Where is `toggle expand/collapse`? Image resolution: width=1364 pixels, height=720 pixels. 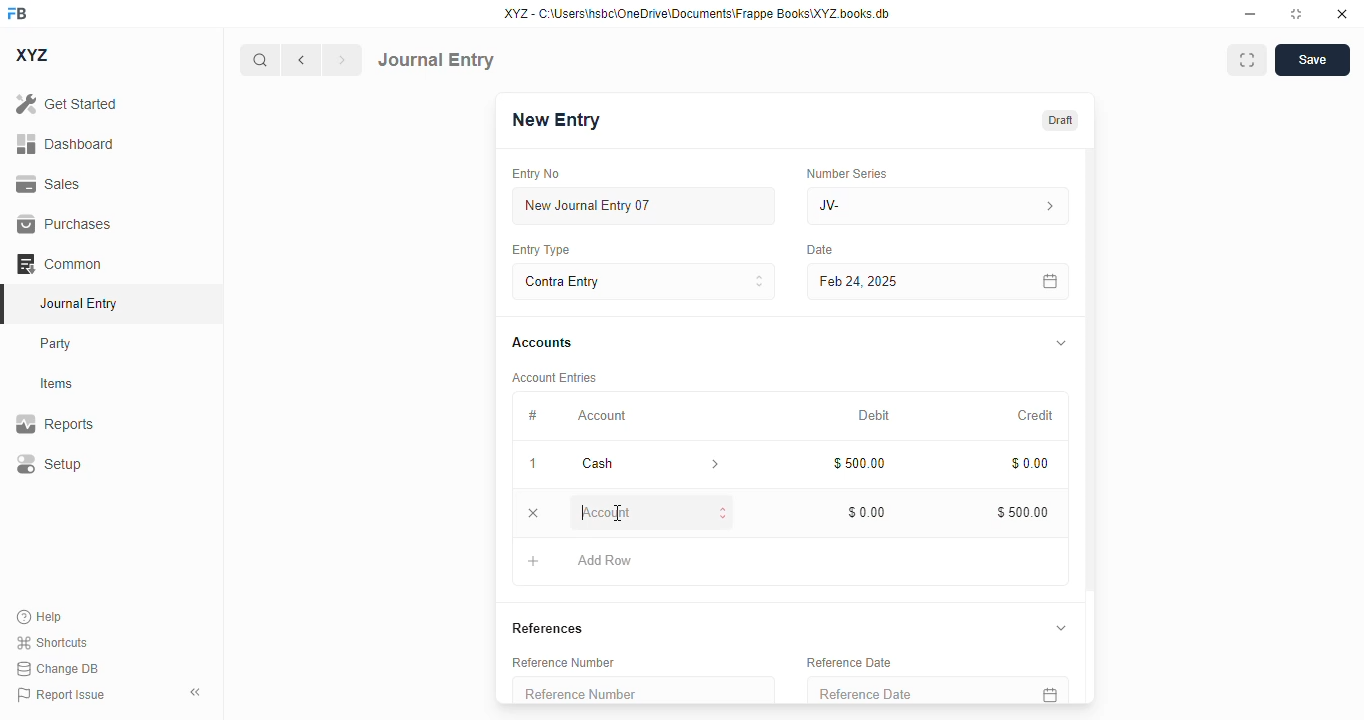 toggle expand/collapse is located at coordinates (1062, 342).